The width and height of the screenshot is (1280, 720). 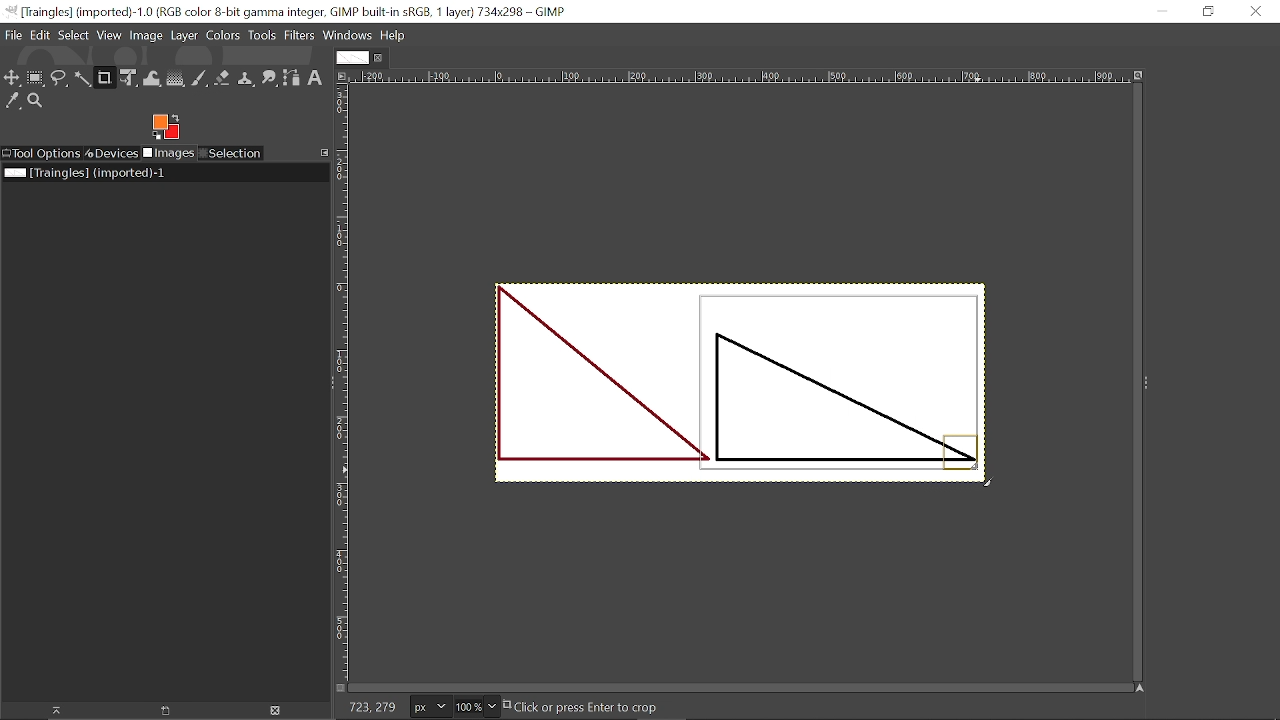 What do you see at coordinates (740, 77) in the screenshot?
I see `Horizontal ruler` at bounding box center [740, 77].